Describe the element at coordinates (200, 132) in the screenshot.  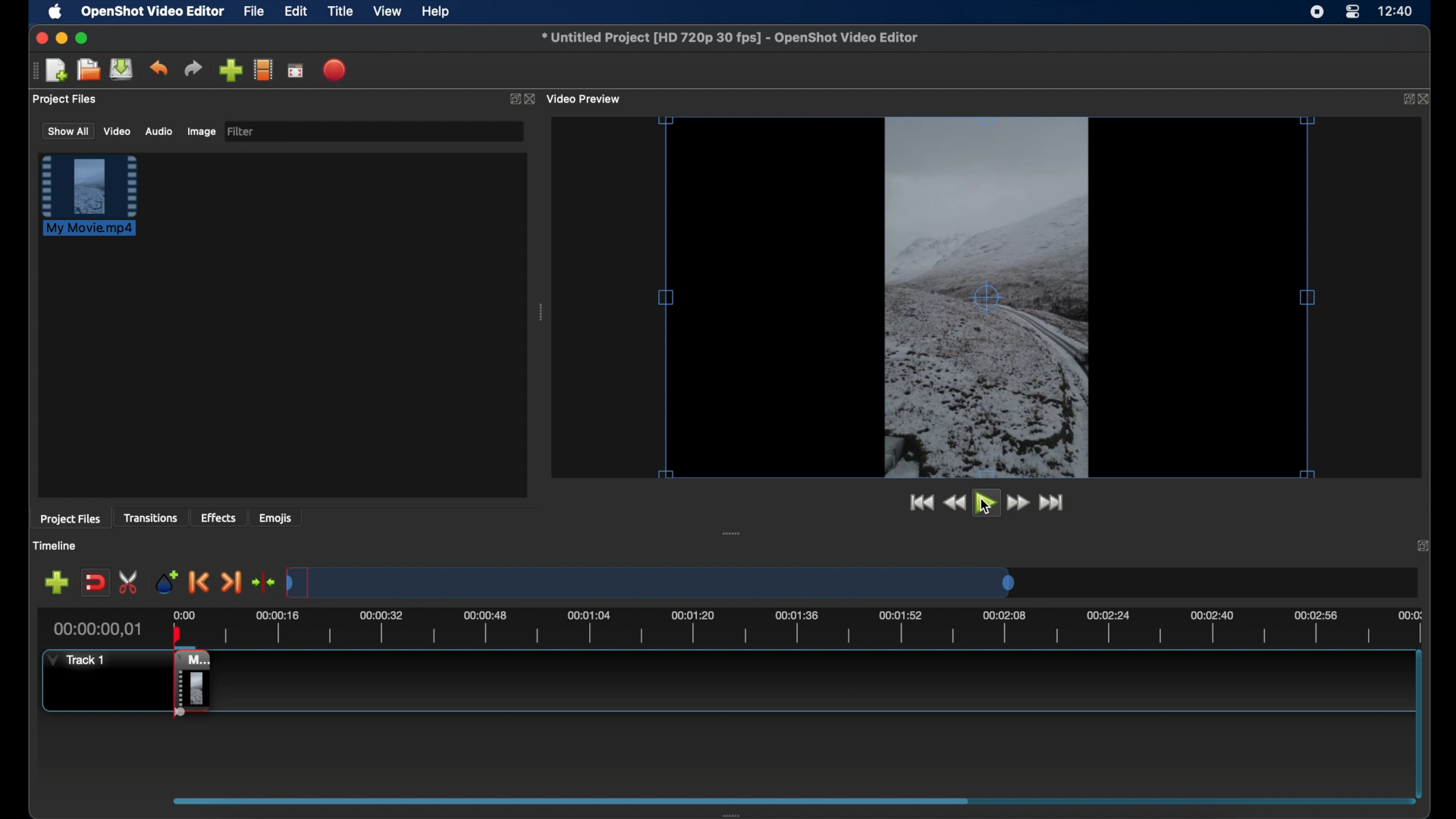
I see `image` at that location.